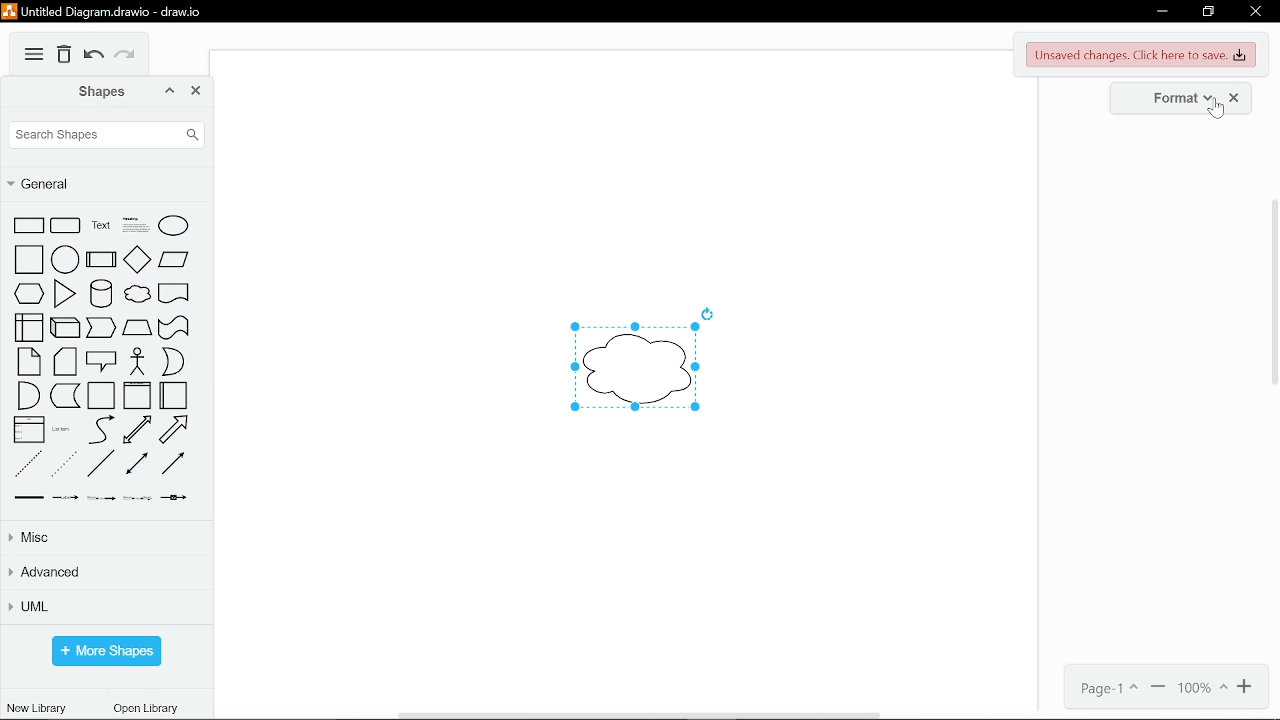 This screenshot has width=1280, height=720. I want to click on Untitled Diagram.drawio - draw.io, so click(112, 12).